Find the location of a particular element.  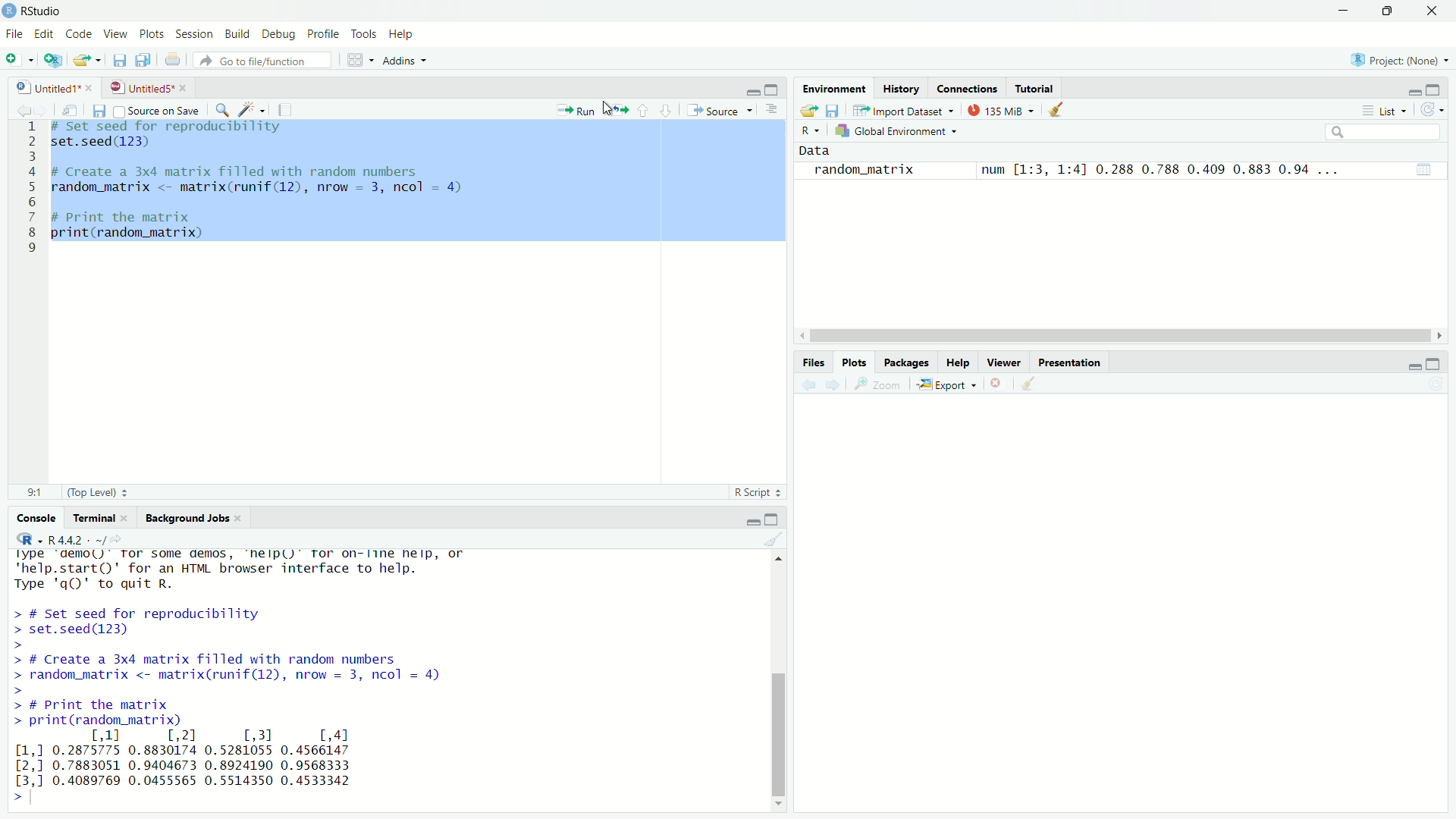

view is located at coordinates (1419, 173).